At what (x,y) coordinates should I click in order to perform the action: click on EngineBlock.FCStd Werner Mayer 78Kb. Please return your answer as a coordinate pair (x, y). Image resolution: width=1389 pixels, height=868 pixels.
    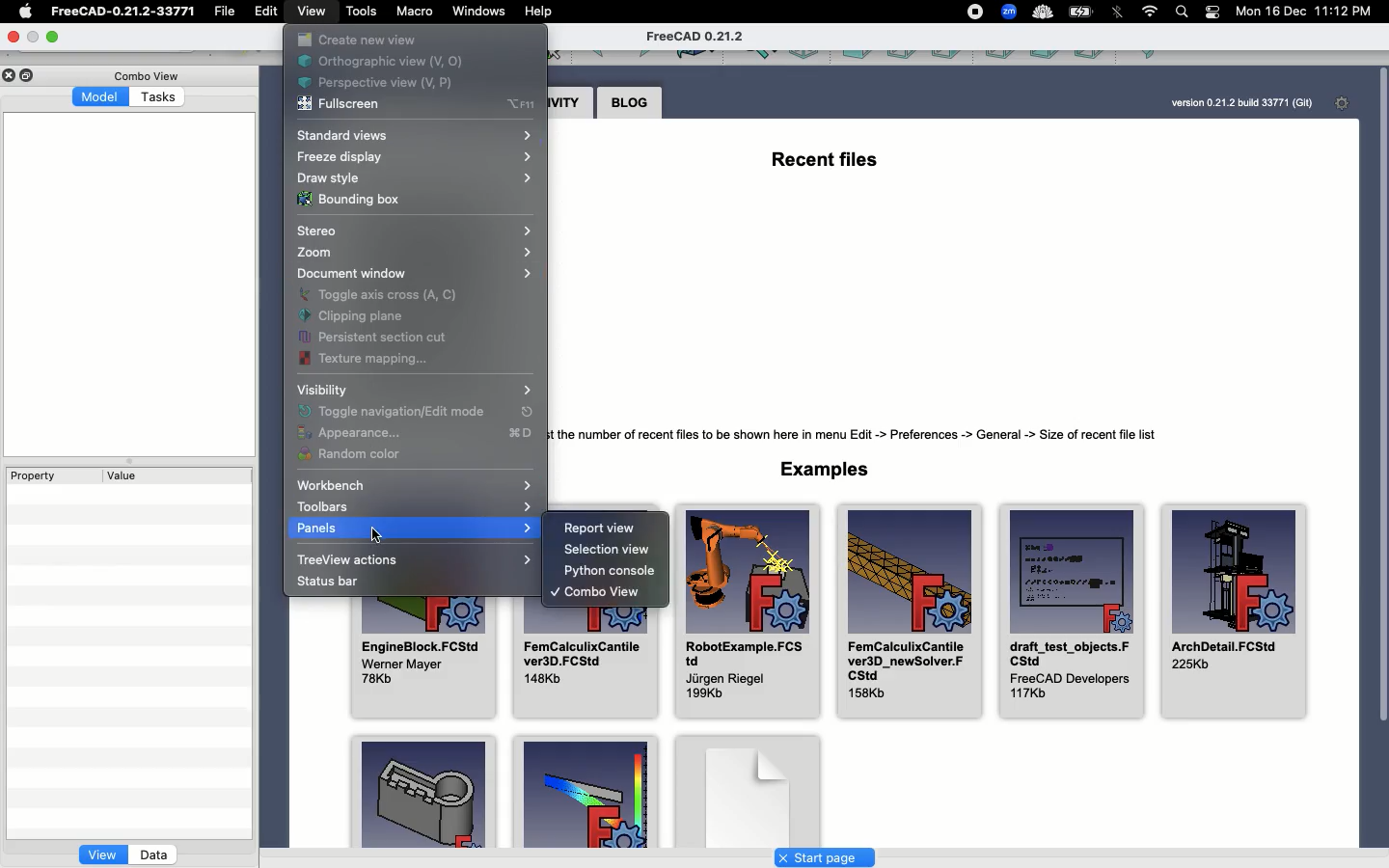
    Looking at the image, I should click on (425, 658).